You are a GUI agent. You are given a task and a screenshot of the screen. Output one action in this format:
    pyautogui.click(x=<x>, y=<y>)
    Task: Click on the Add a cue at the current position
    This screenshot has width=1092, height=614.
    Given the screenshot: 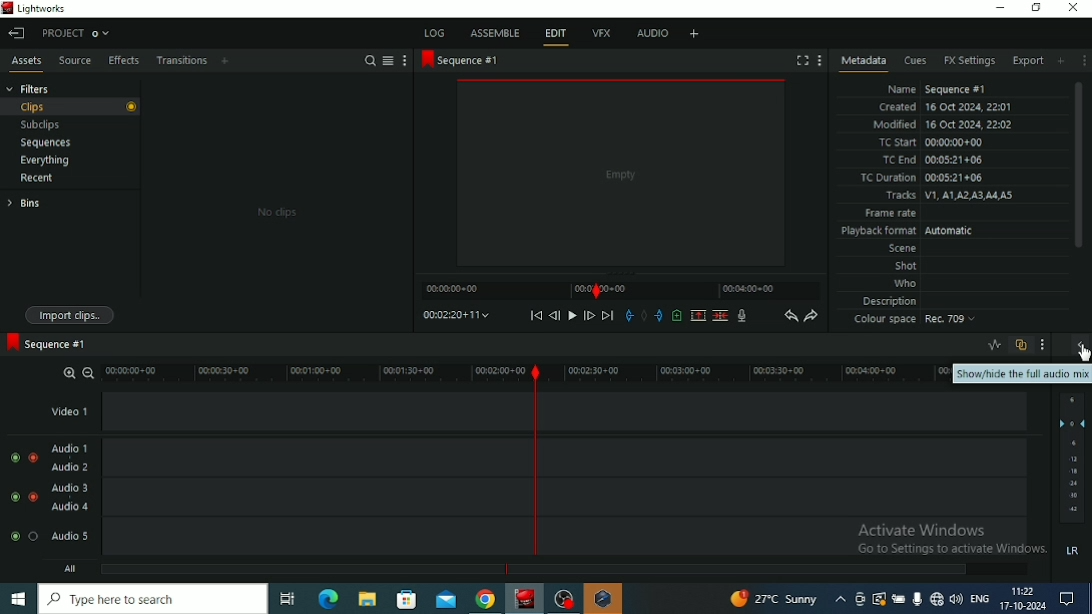 What is the action you would take?
    pyautogui.click(x=677, y=315)
    